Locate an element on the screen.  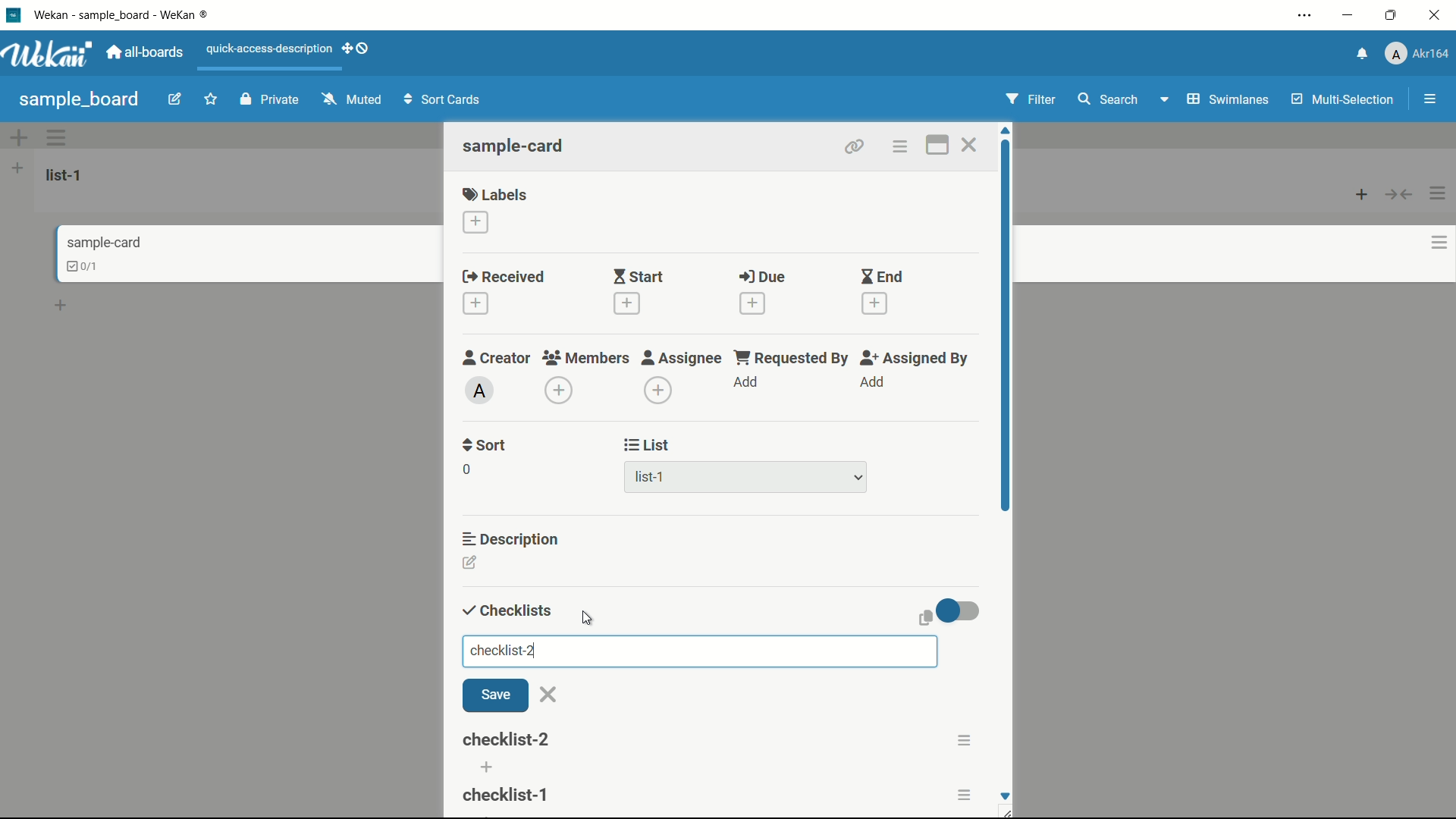
checklist-1 is located at coordinates (507, 739).